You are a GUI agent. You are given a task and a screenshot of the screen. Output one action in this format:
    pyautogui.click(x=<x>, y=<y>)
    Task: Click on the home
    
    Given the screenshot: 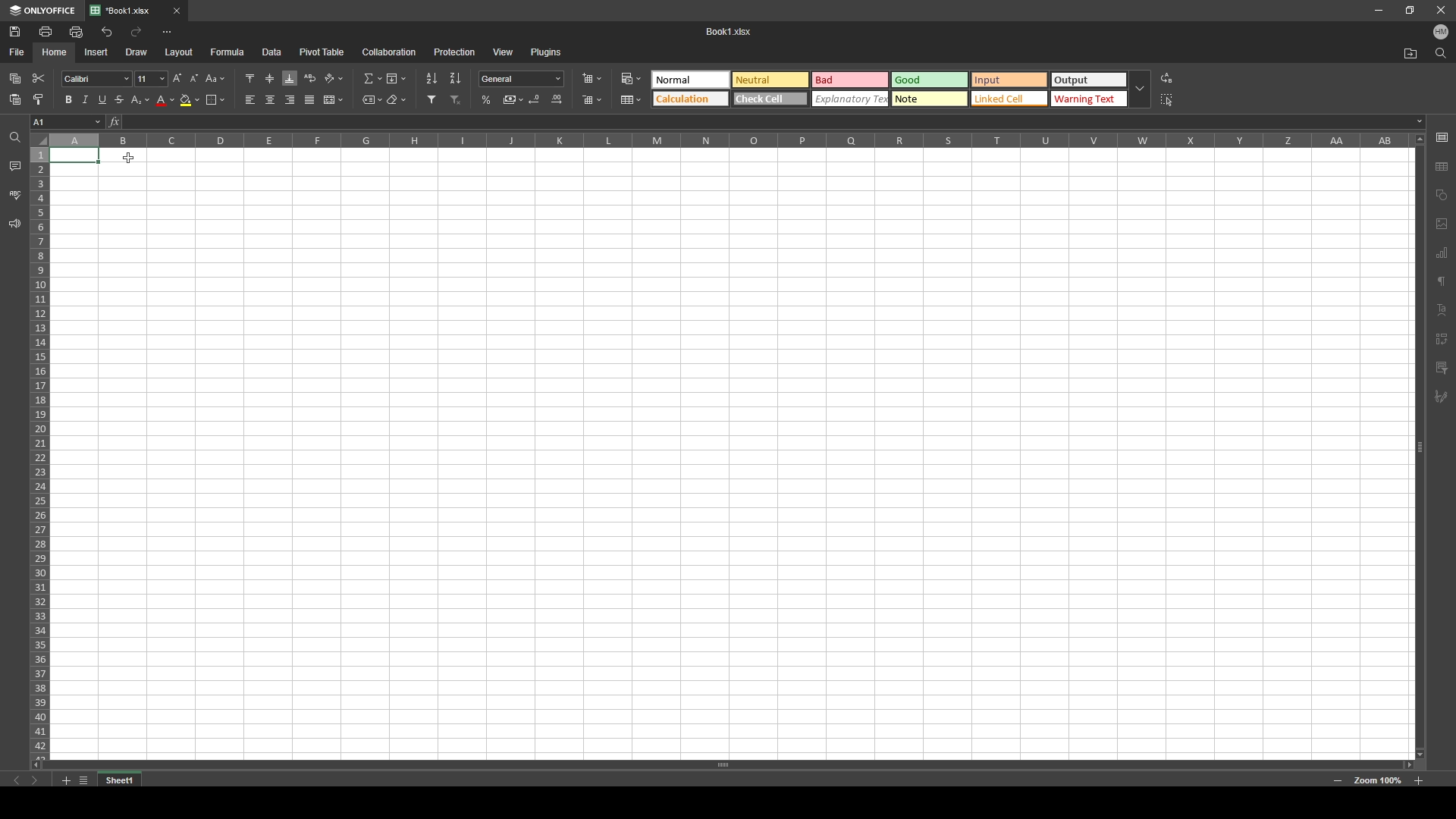 What is the action you would take?
    pyautogui.click(x=56, y=52)
    